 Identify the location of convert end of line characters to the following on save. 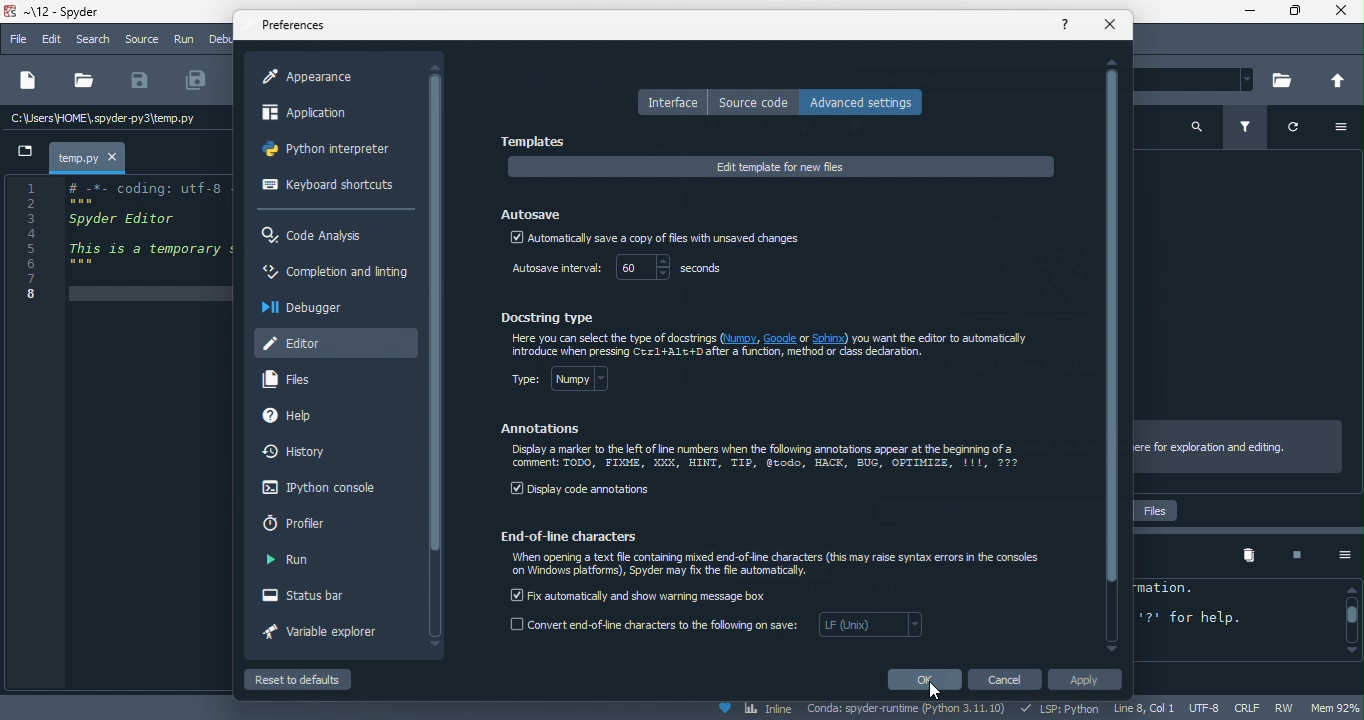
(719, 629).